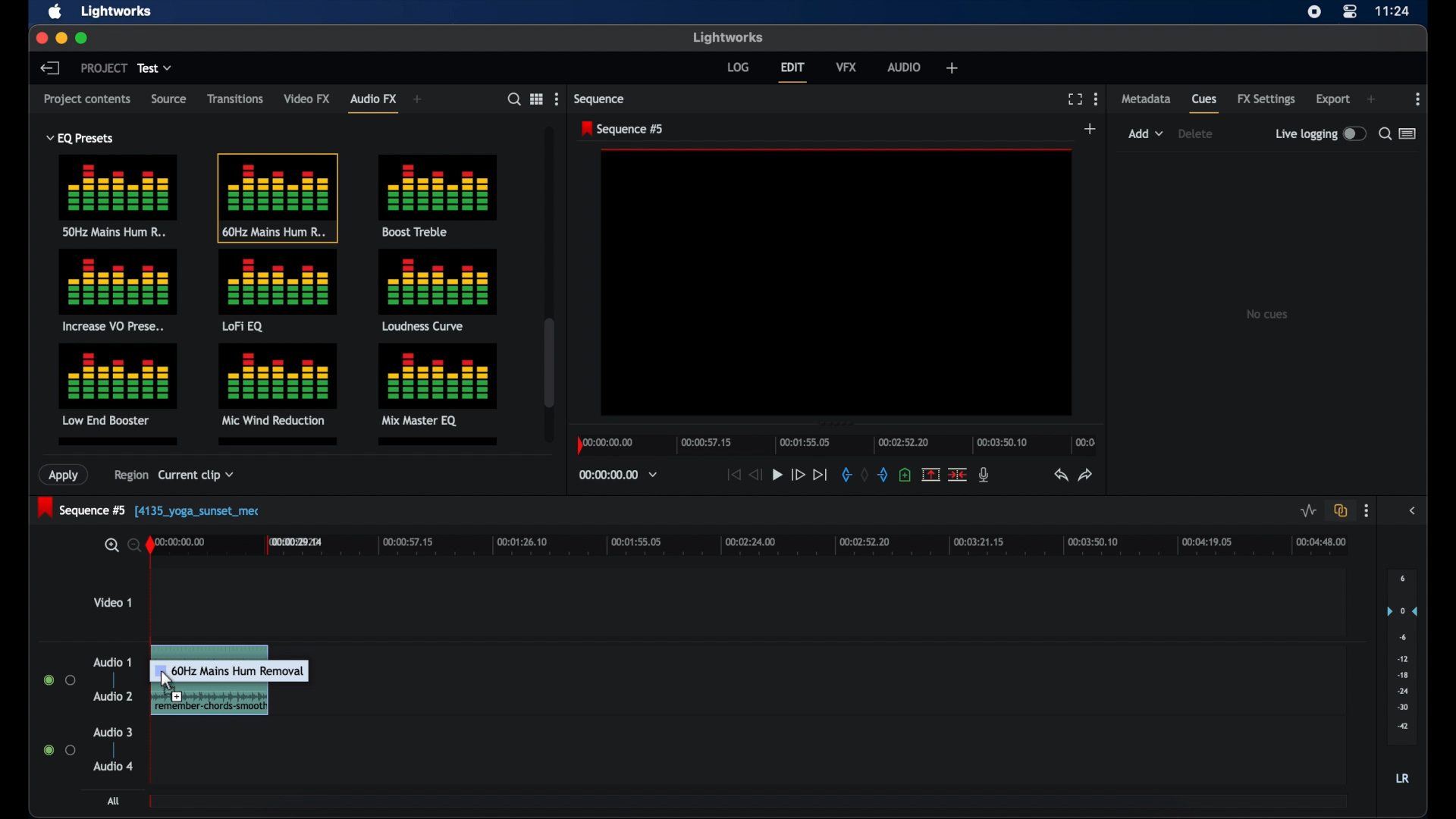 This screenshot has width=1456, height=819. Describe the element at coordinates (49, 67) in the screenshot. I see `back` at that location.